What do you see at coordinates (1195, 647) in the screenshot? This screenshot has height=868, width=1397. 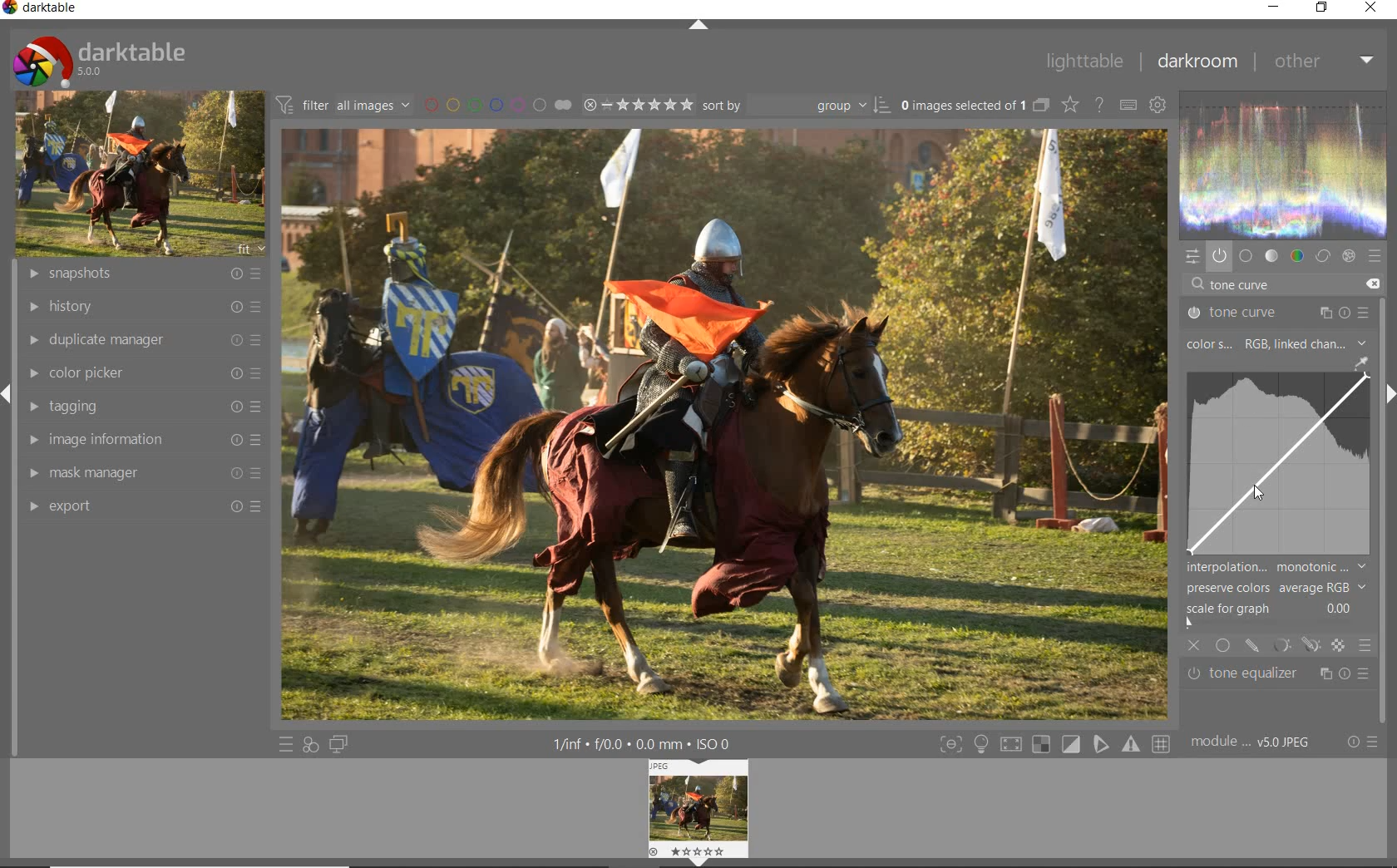 I see `close` at bounding box center [1195, 647].